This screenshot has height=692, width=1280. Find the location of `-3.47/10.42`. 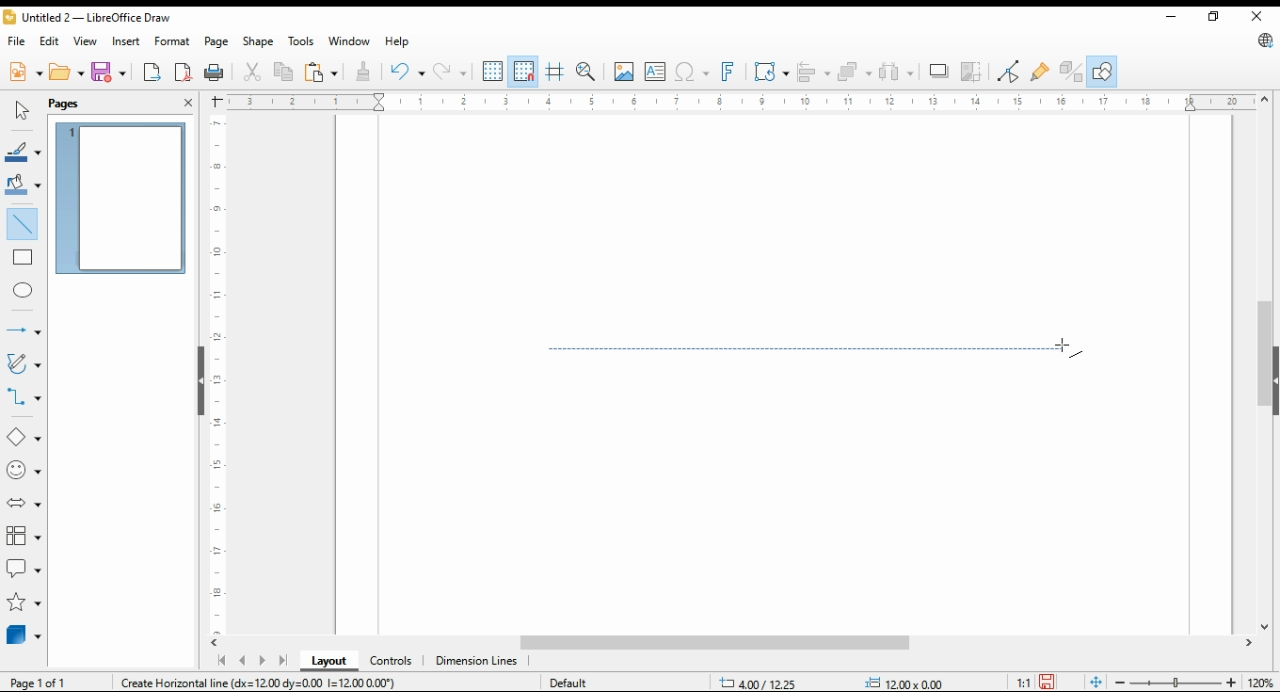

-3.47/10.42 is located at coordinates (760, 683).